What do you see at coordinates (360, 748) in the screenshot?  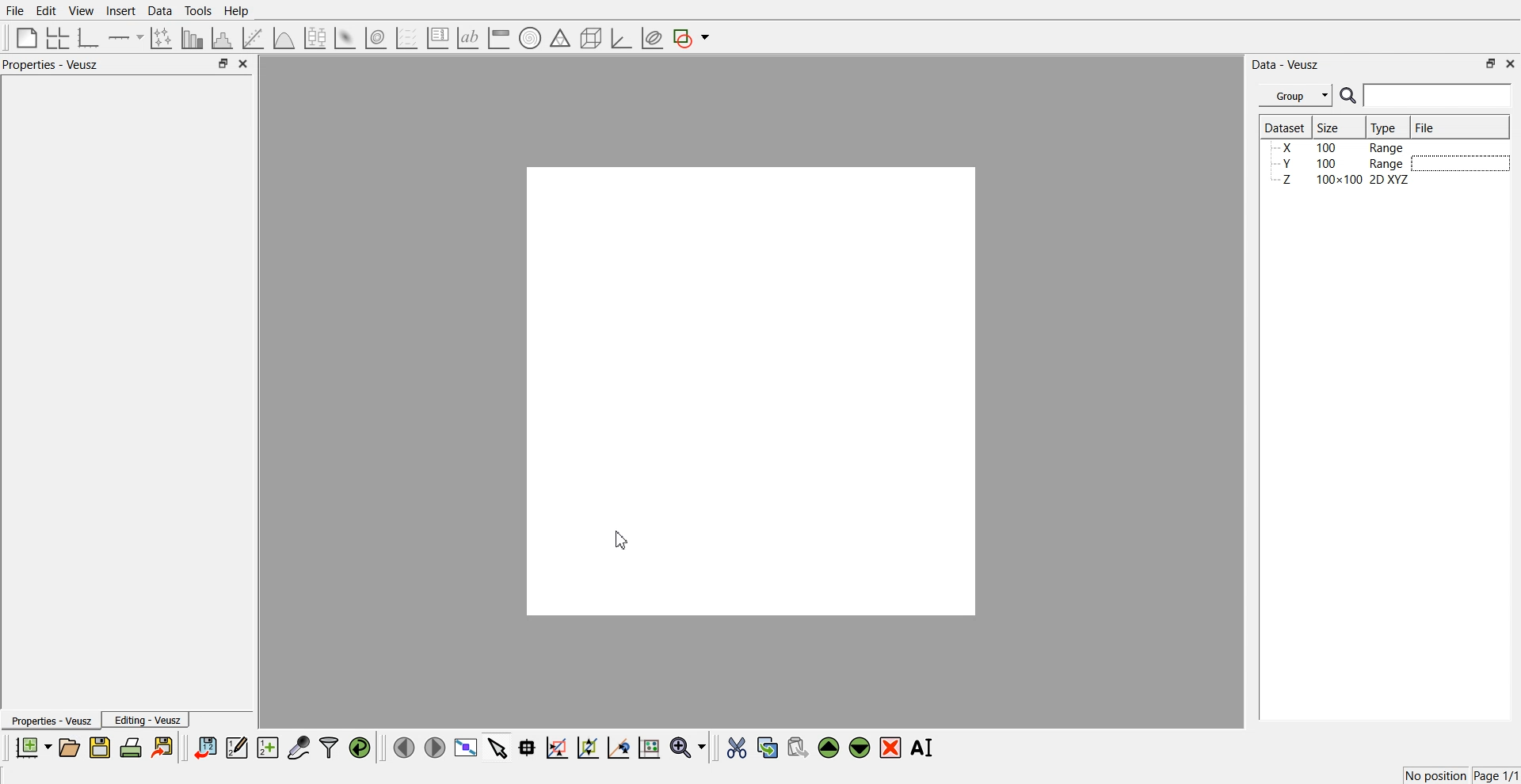 I see `Reload linked dataset` at bounding box center [360, 748].